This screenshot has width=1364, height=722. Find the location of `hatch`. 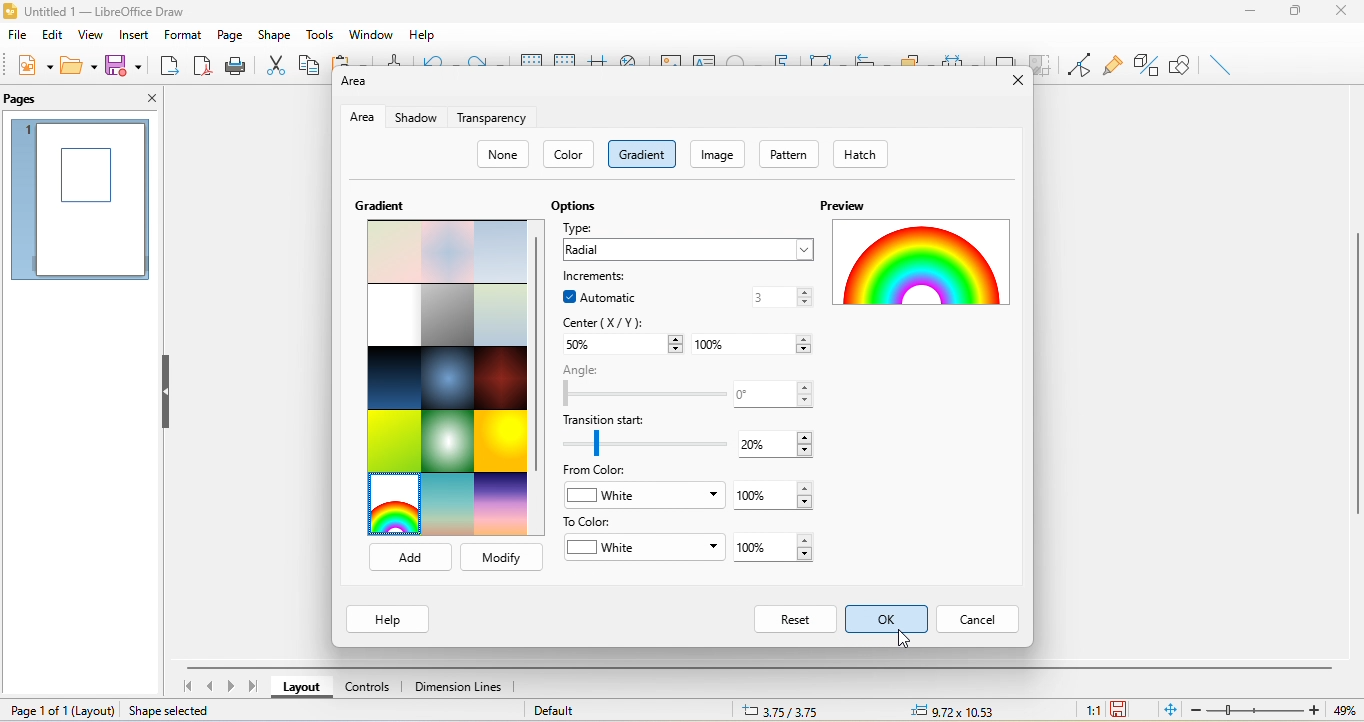

hatch is located at coordinates (862, 154).